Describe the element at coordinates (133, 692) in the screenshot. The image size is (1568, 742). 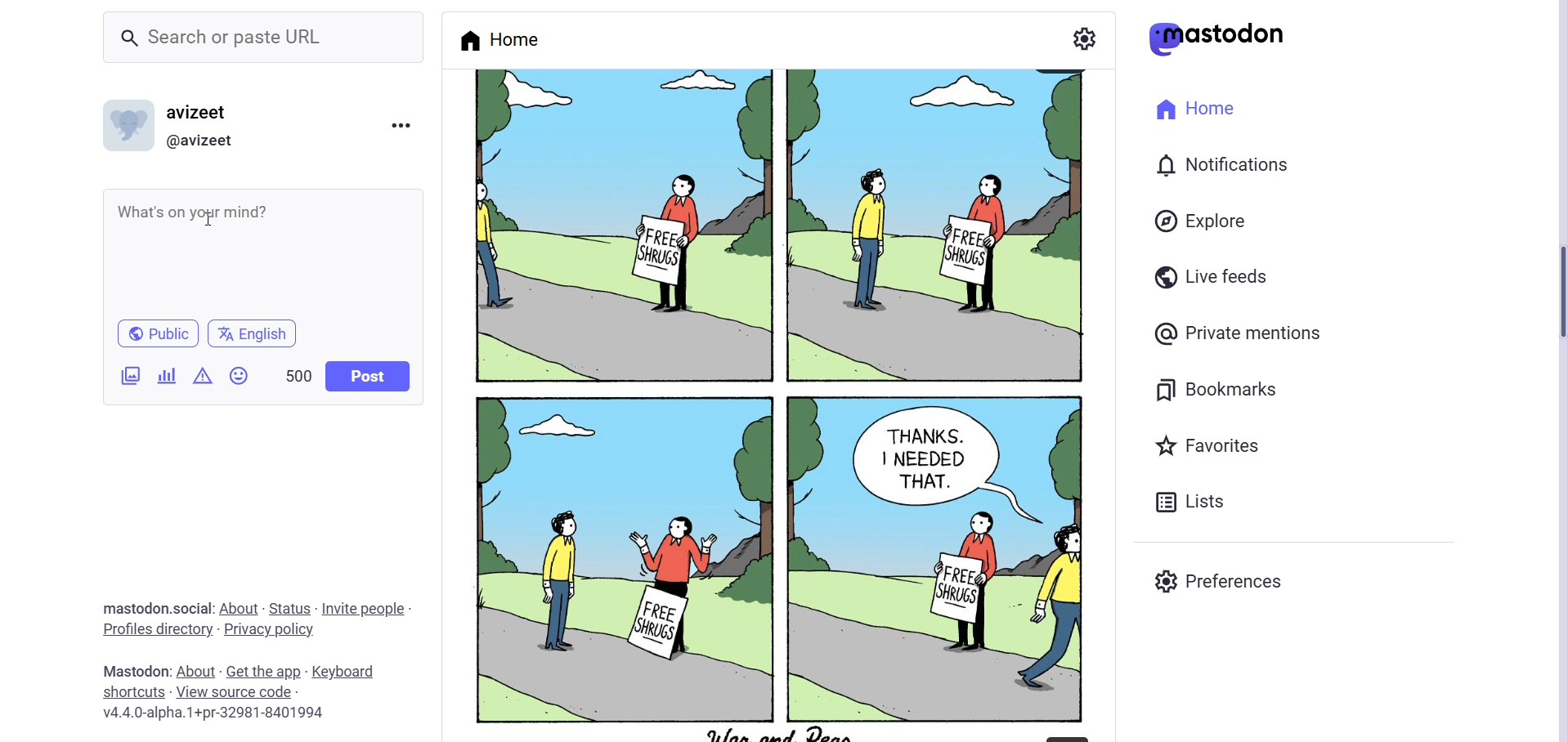
I see `Shortcuts` at that location.